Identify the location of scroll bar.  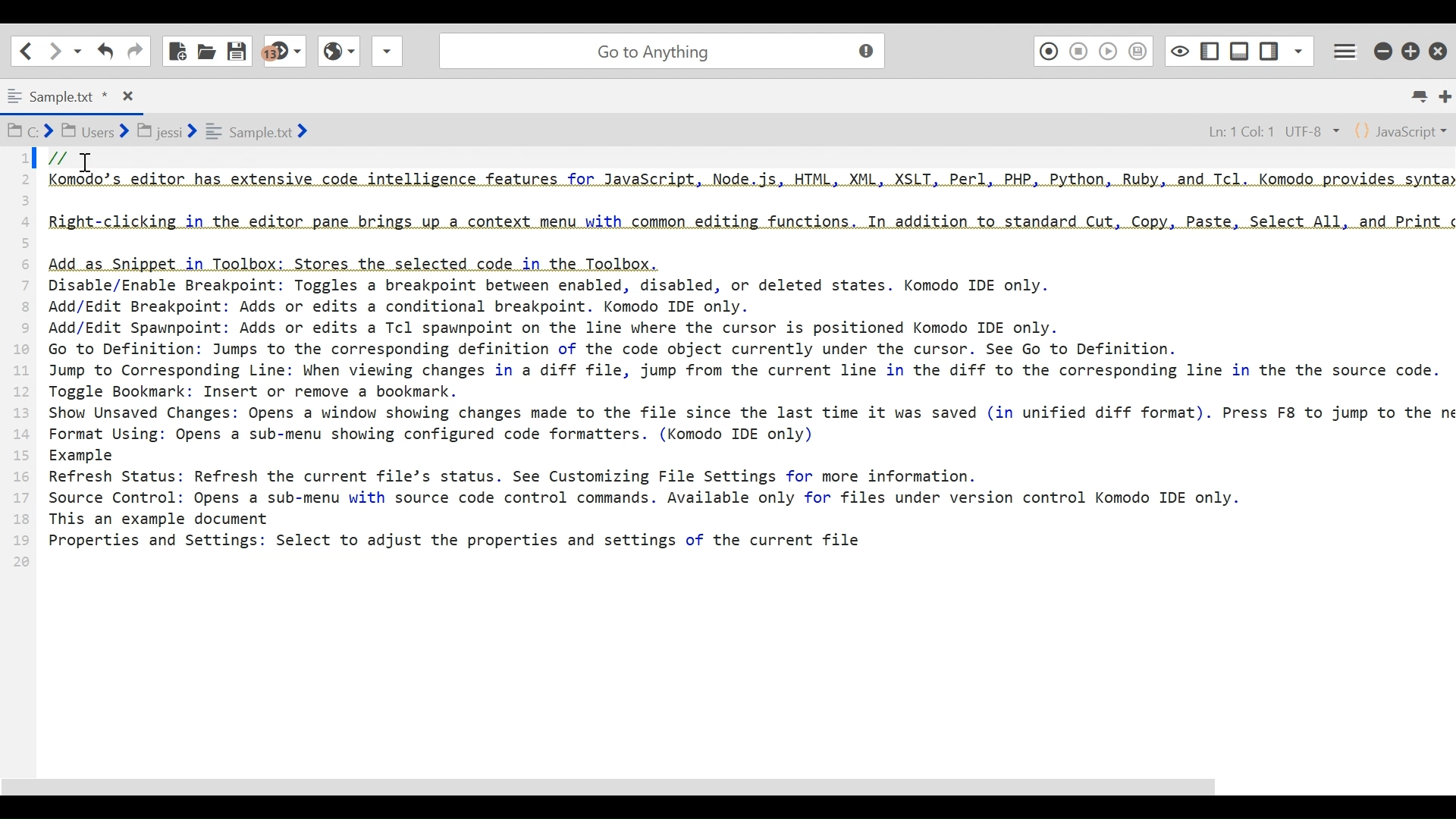
(628, 788).